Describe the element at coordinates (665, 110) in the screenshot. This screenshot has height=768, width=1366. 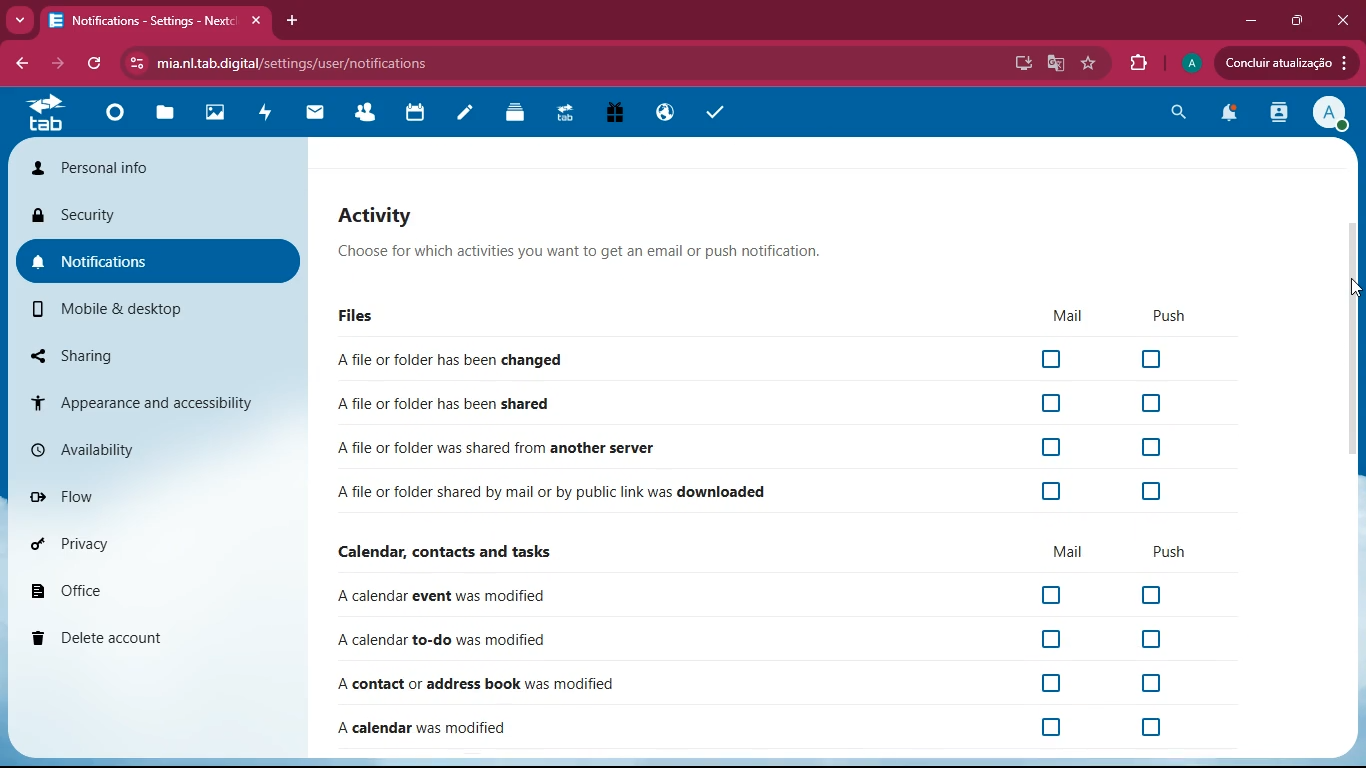
I see `public` at that location.